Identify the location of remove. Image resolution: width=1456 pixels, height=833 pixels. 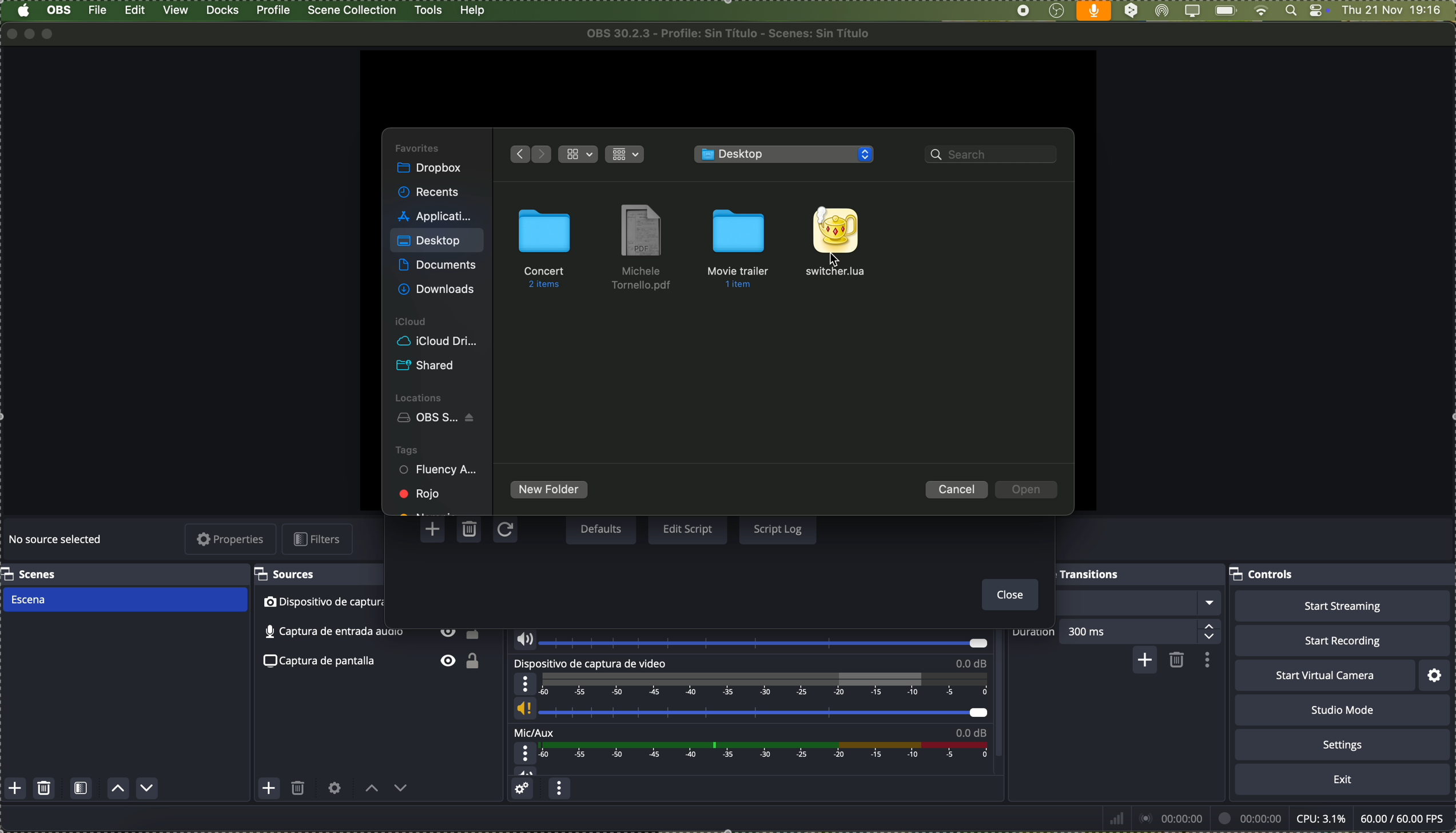
(1177, 661).